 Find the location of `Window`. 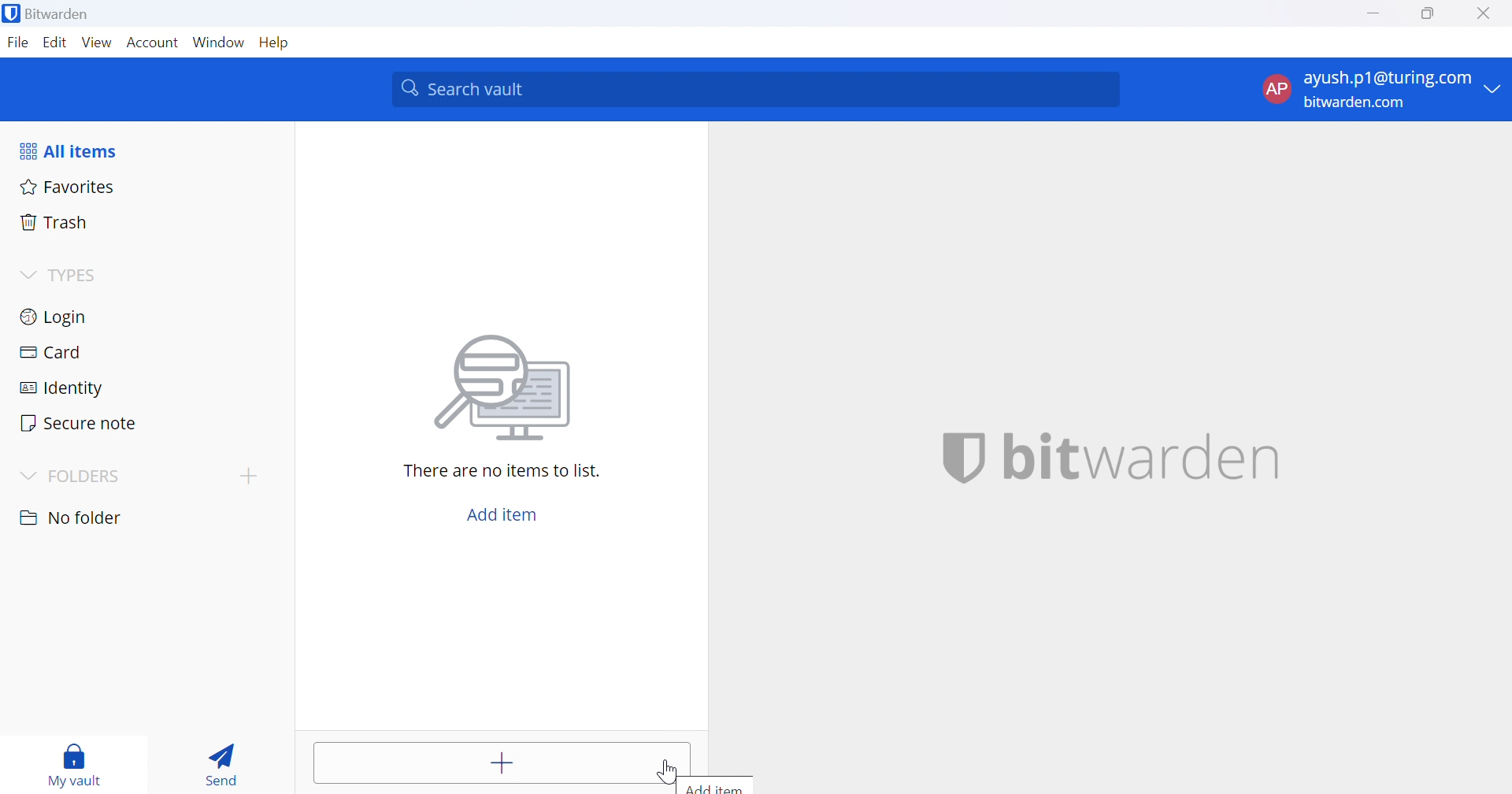

Window is located at coordinates (218, 42).